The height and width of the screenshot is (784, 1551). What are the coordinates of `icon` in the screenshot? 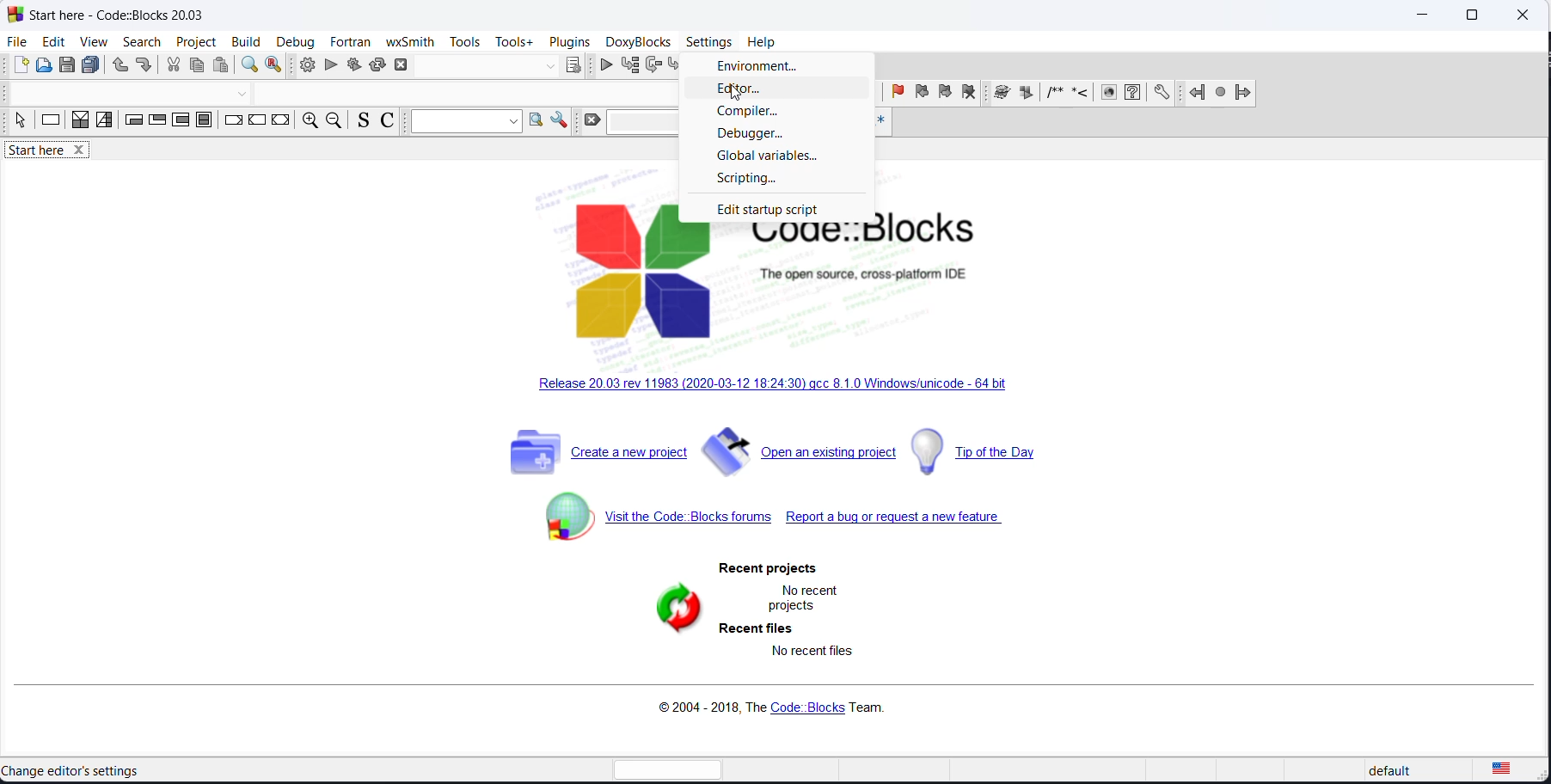 It's located at (1027, 94).